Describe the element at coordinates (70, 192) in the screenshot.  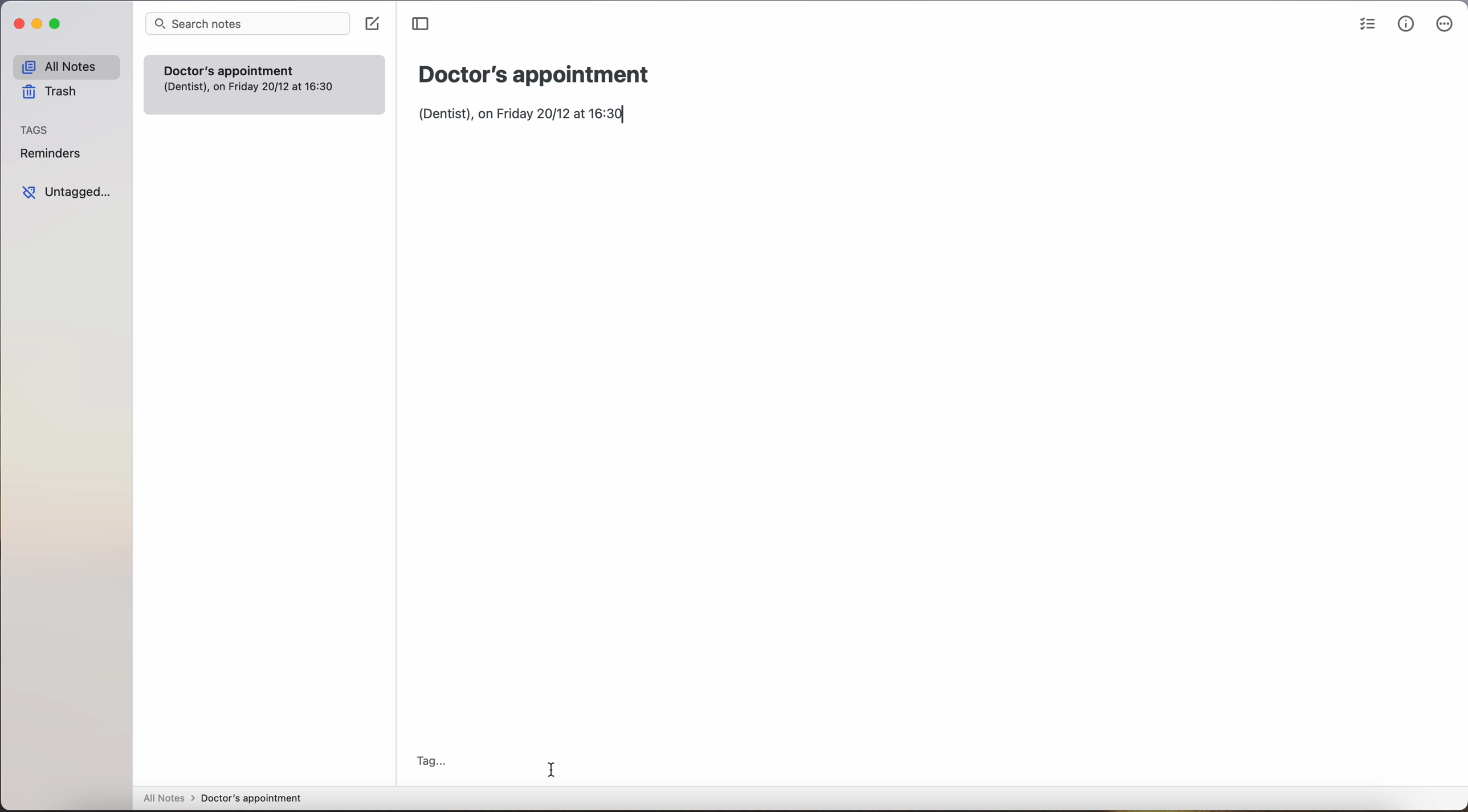
I see `untagged` at that location.